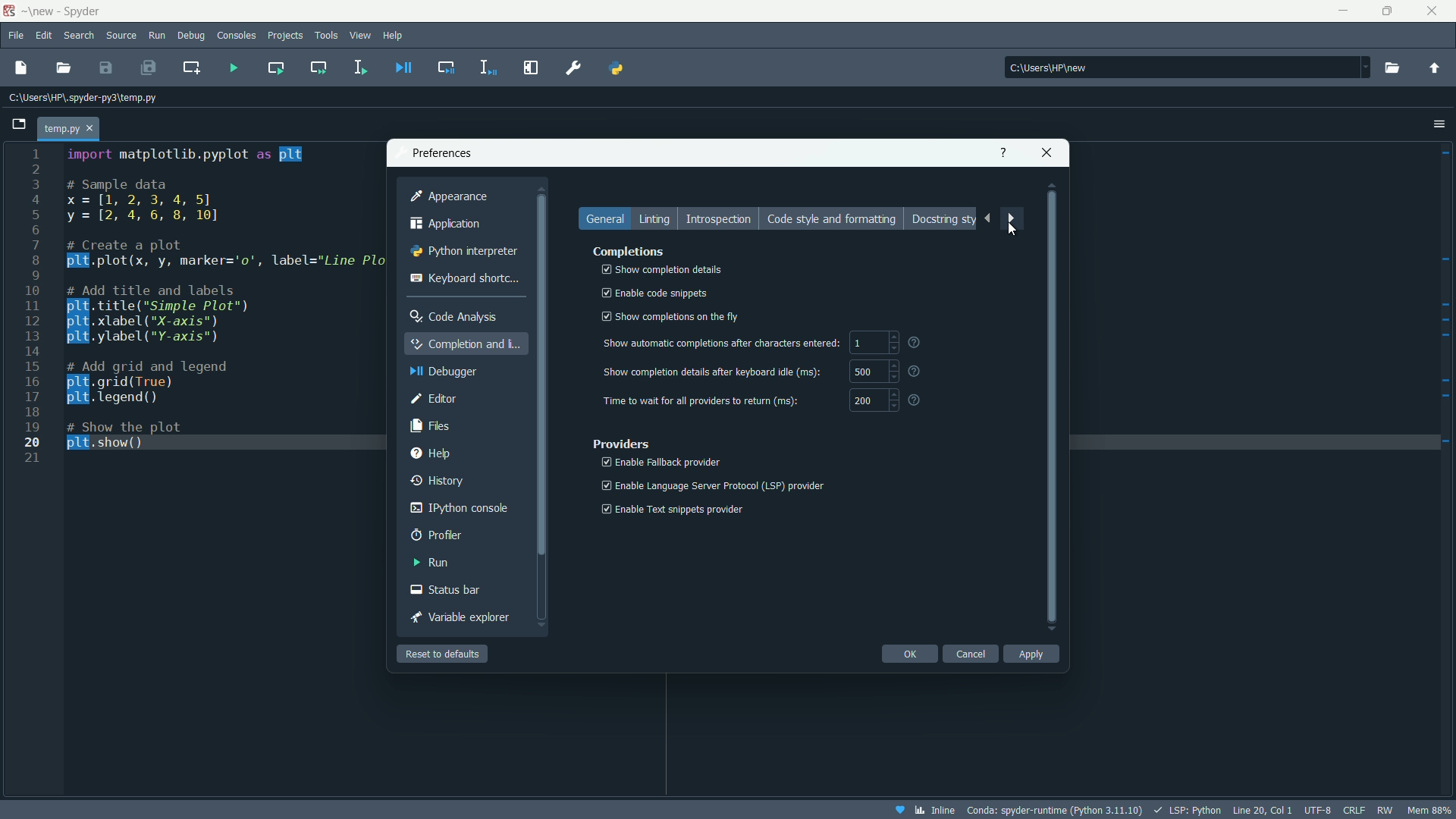 This screenshot has height=819, width=1456. What do you see at coordinates (359, 67) in the screenshot?
I see `run selection` at bounding box center [359, 67].